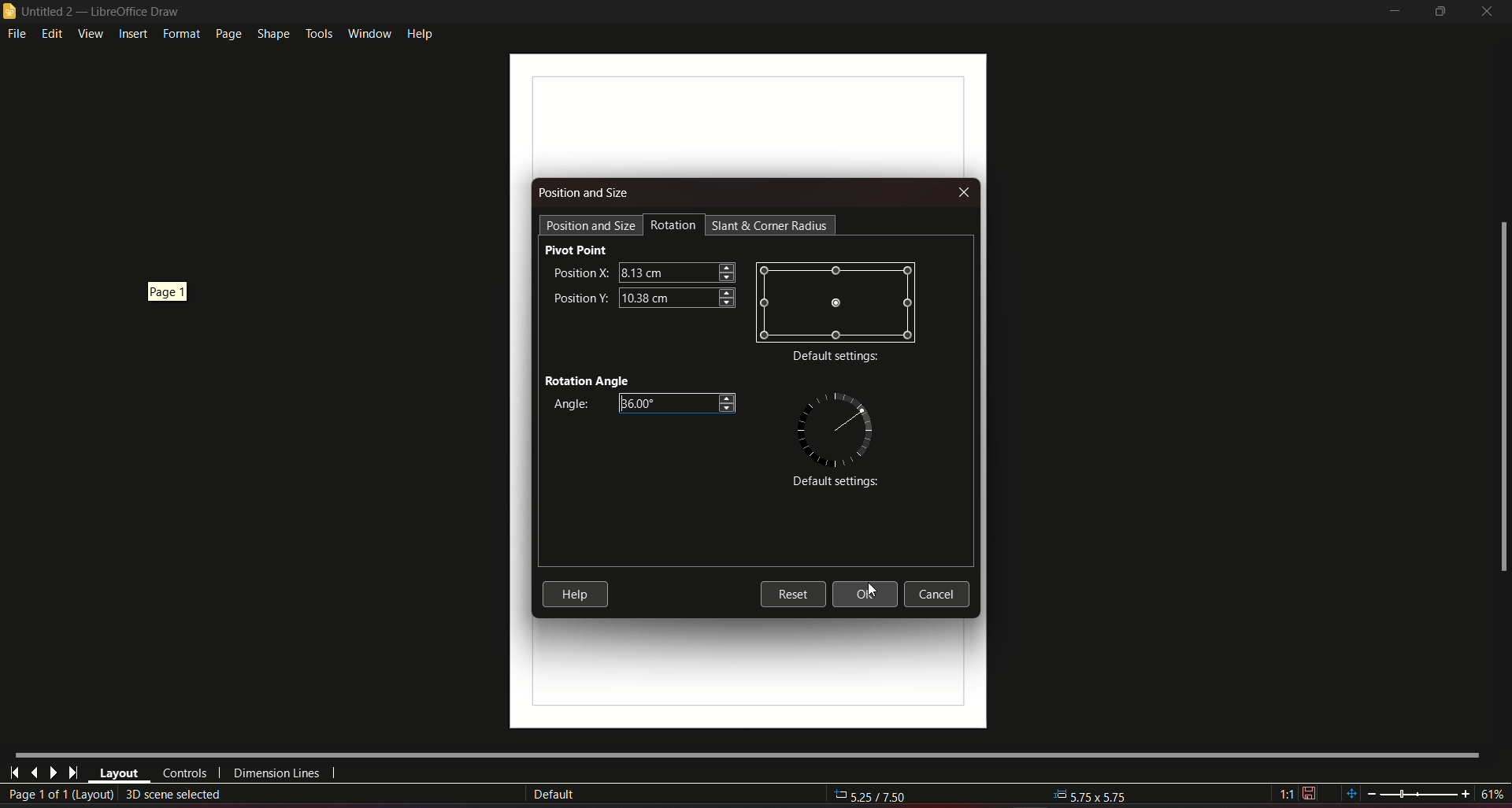 The image size is (1512, 808). What do you see at coordinates (676, 271) in the screenshot?
I see `textbox` at bounding box center [676, 271].